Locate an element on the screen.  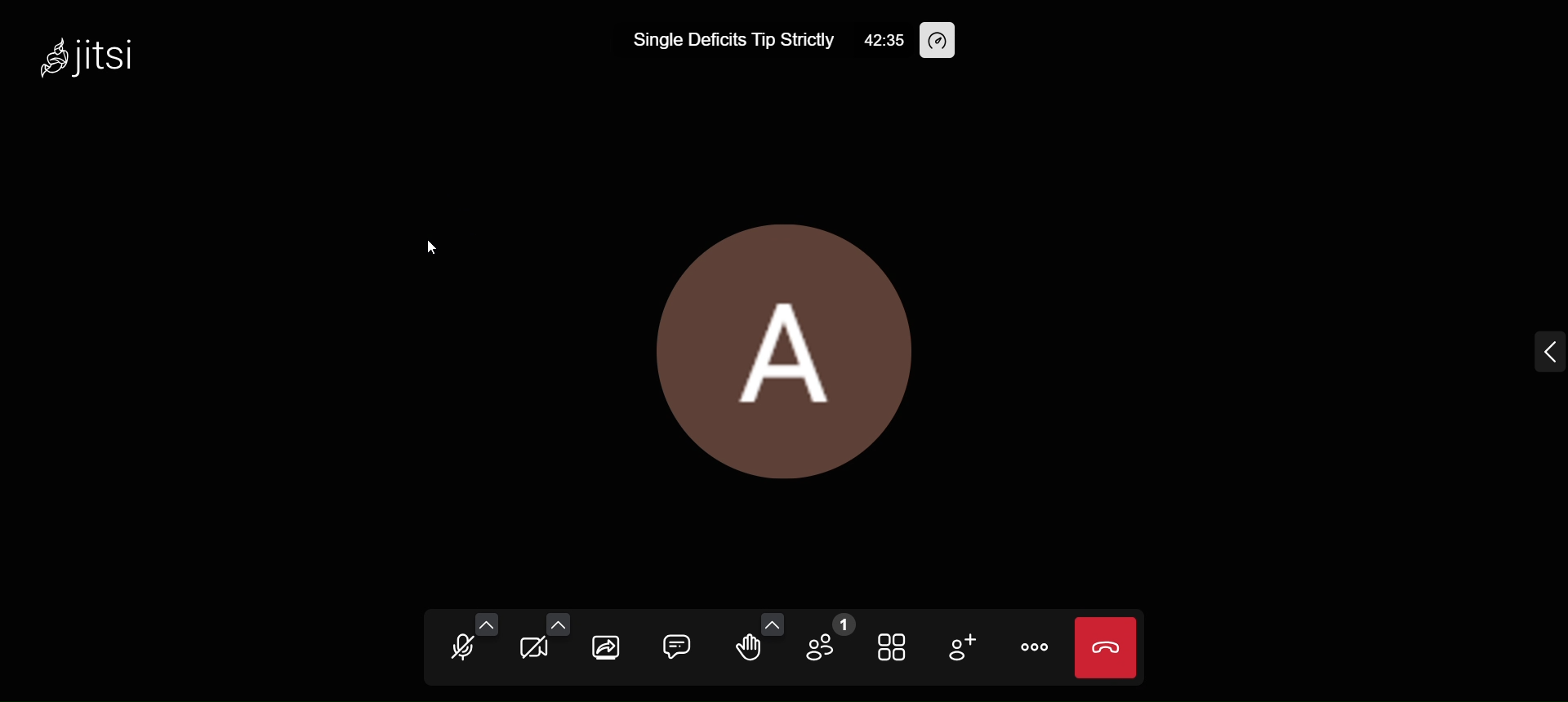
video setting is located at coordinates (561, 623).